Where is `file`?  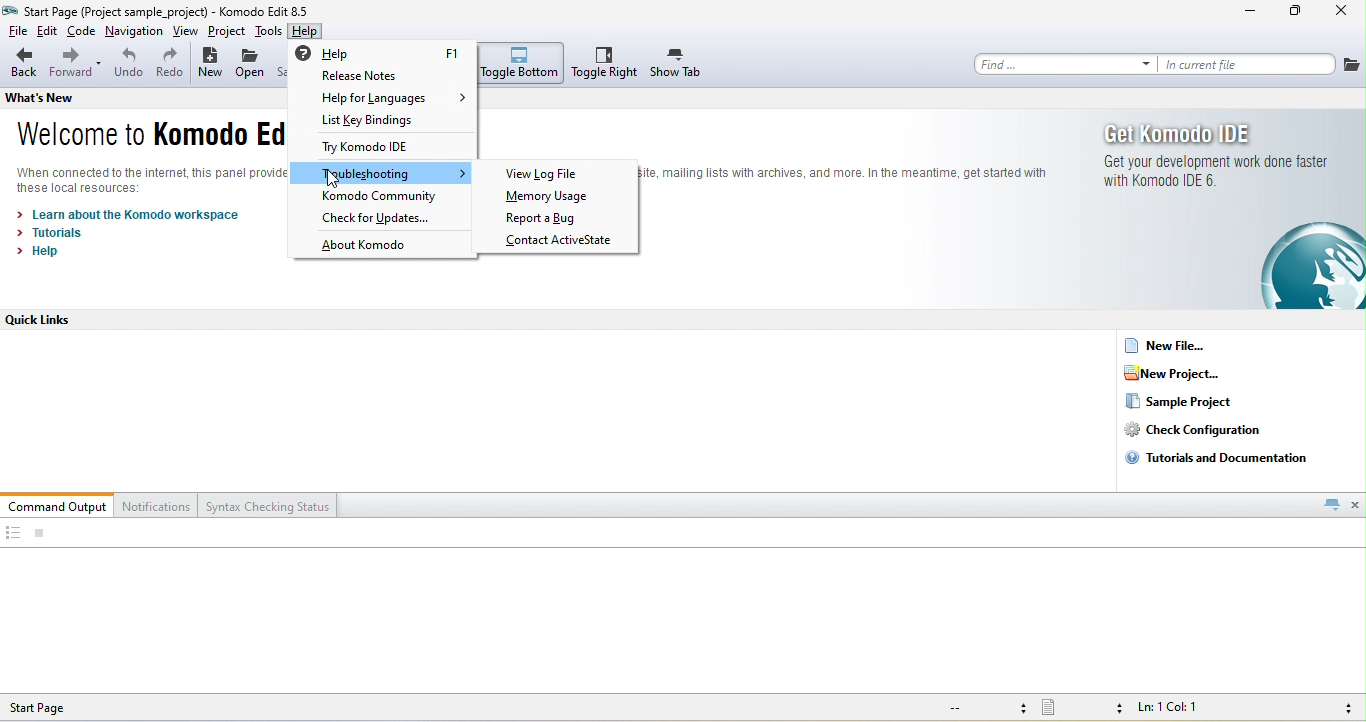
file is located at coordinates (1352, 64).